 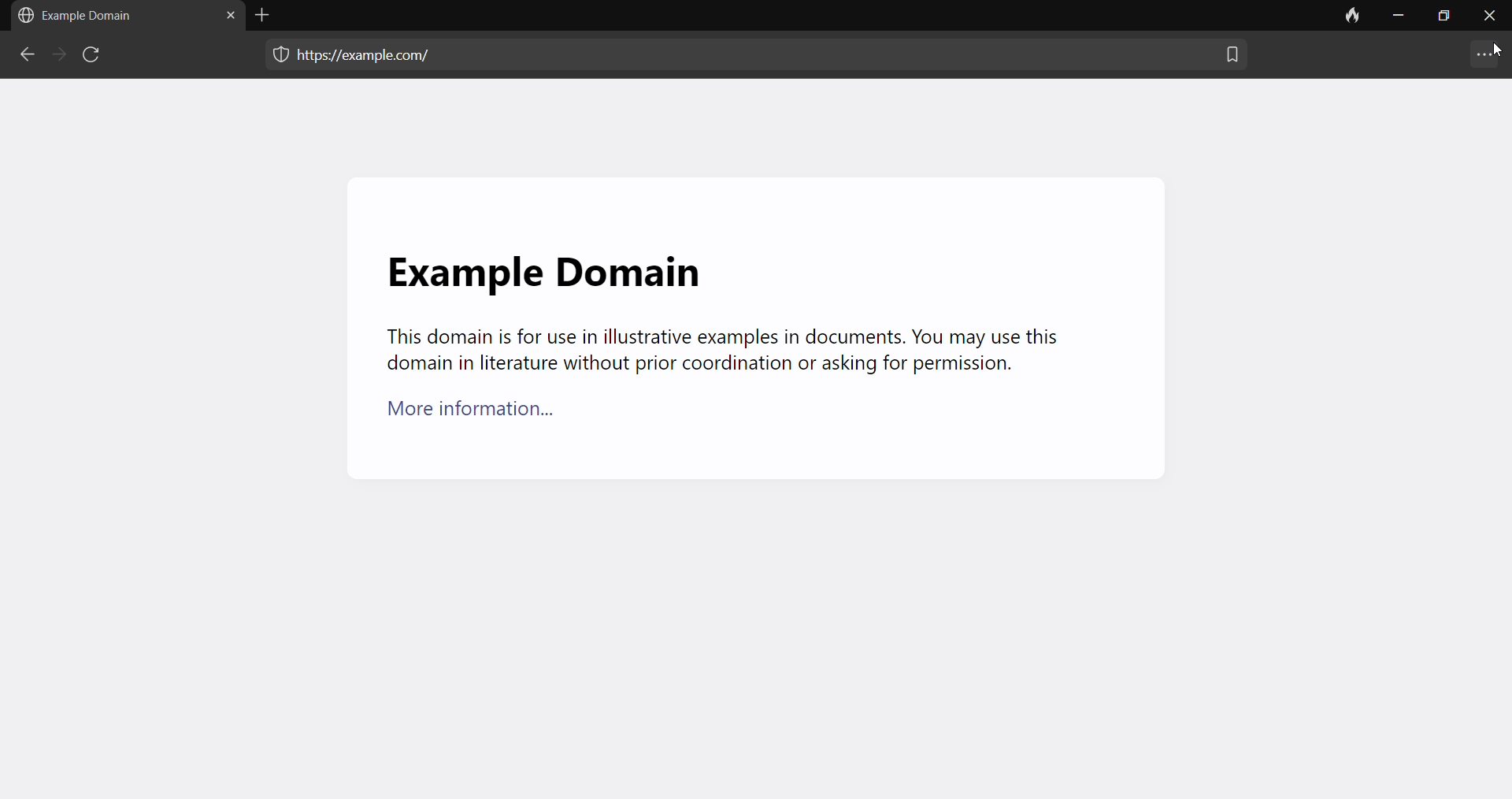 I want to click on This domain is for use in illustrative examples in documents. You may use this
domain in literature without prior coordination or asking for permission., so click(x=720, y=351).